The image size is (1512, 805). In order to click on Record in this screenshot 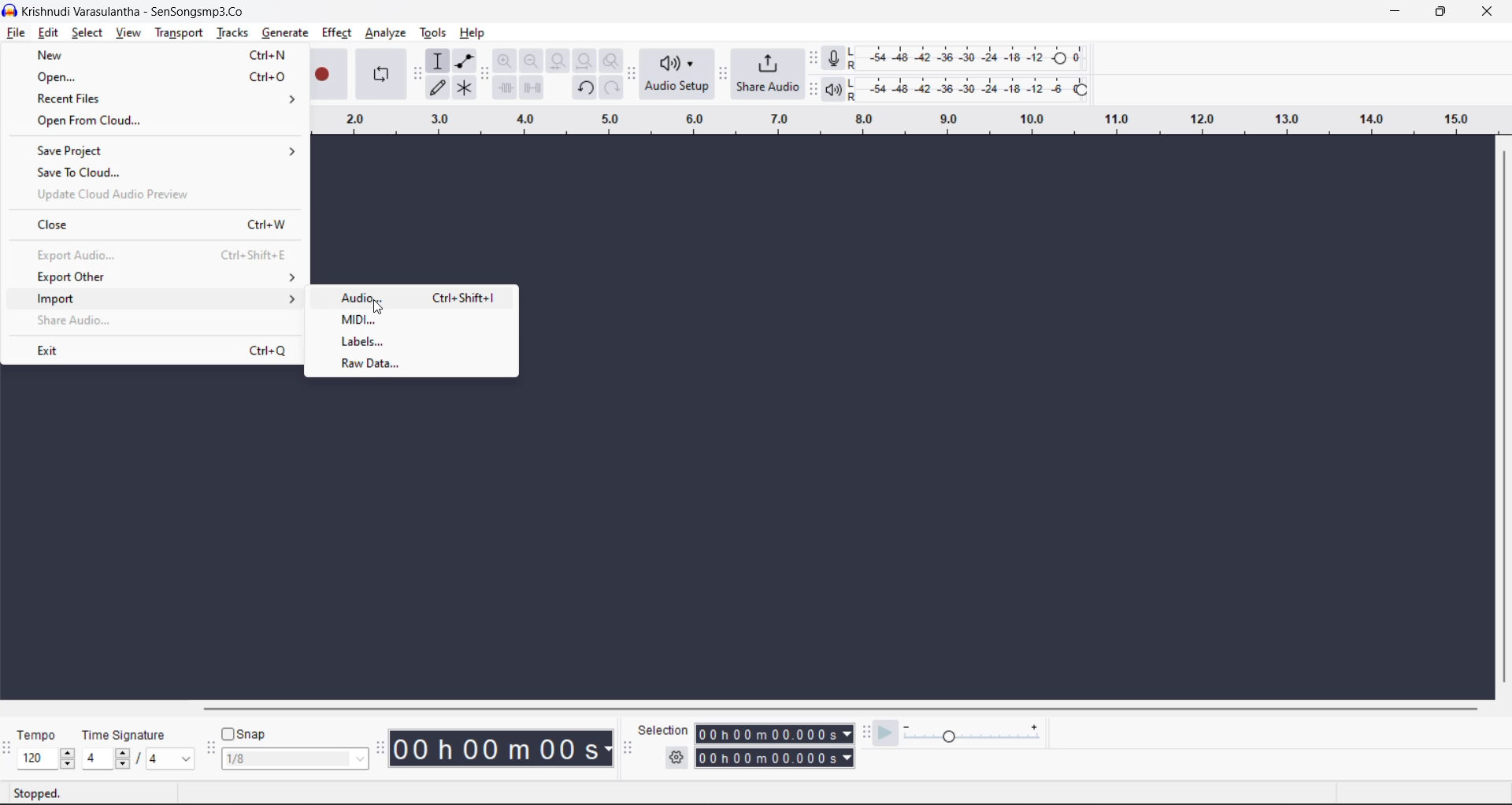, I will do `click(328, 71)`.